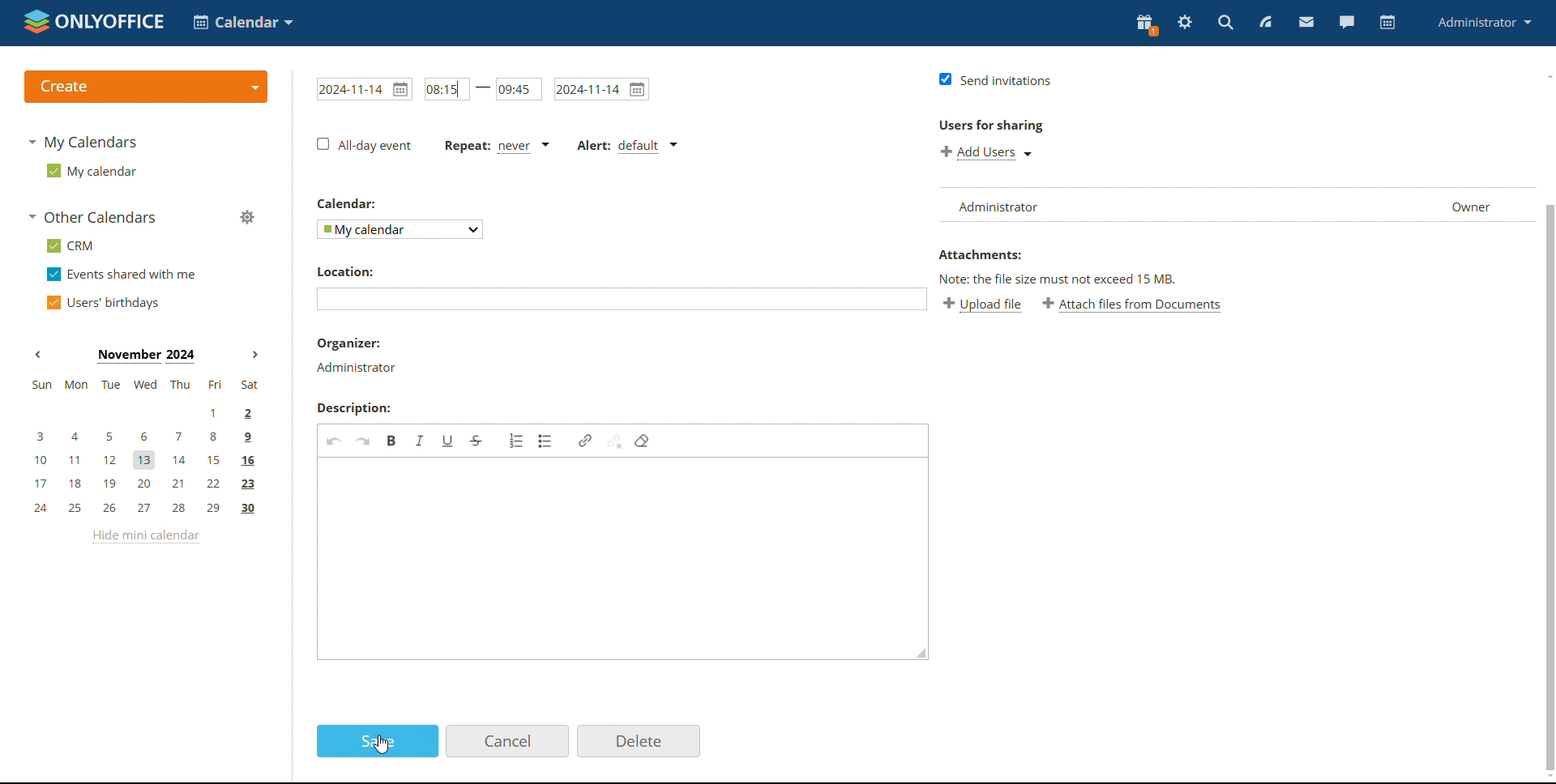 This screenshot has height=784, width=1556. I want to click on my calendar, so click(91, 170).